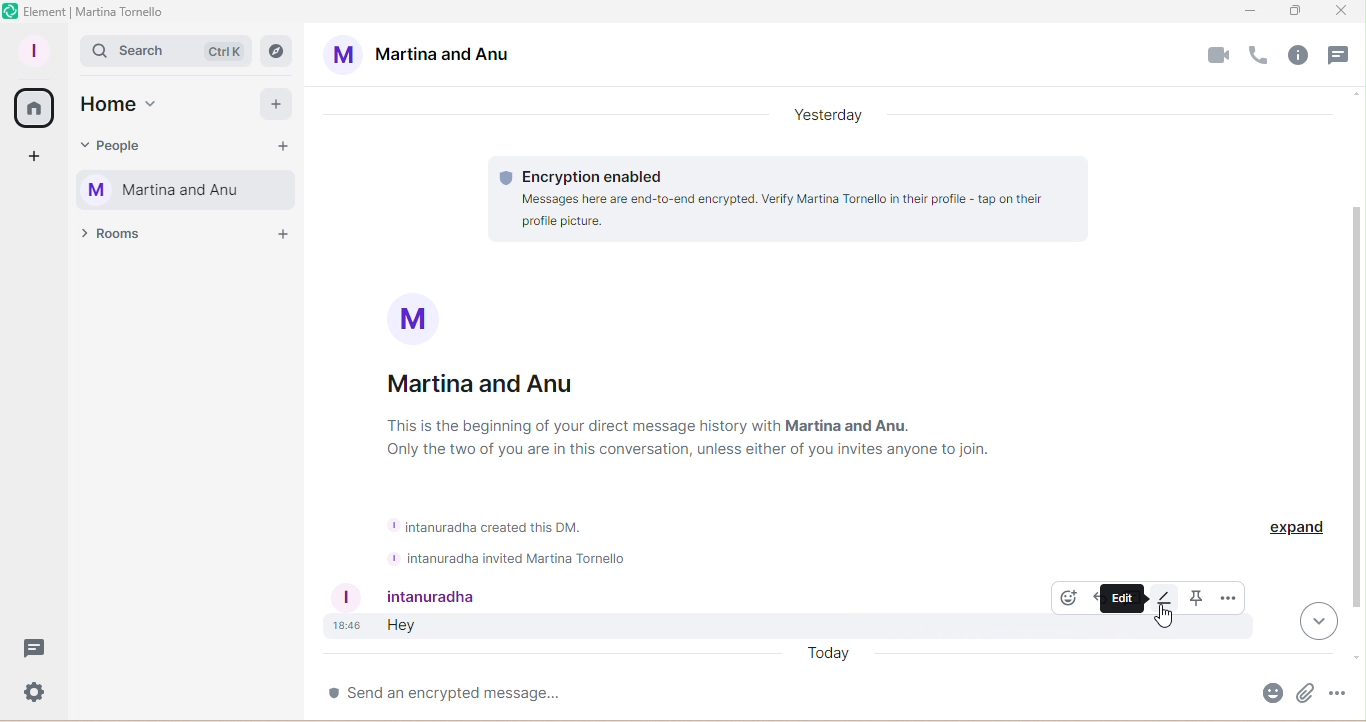 This screenshot has height=722, width=1366. I want to click on Martina tornello, so click(121, 13).